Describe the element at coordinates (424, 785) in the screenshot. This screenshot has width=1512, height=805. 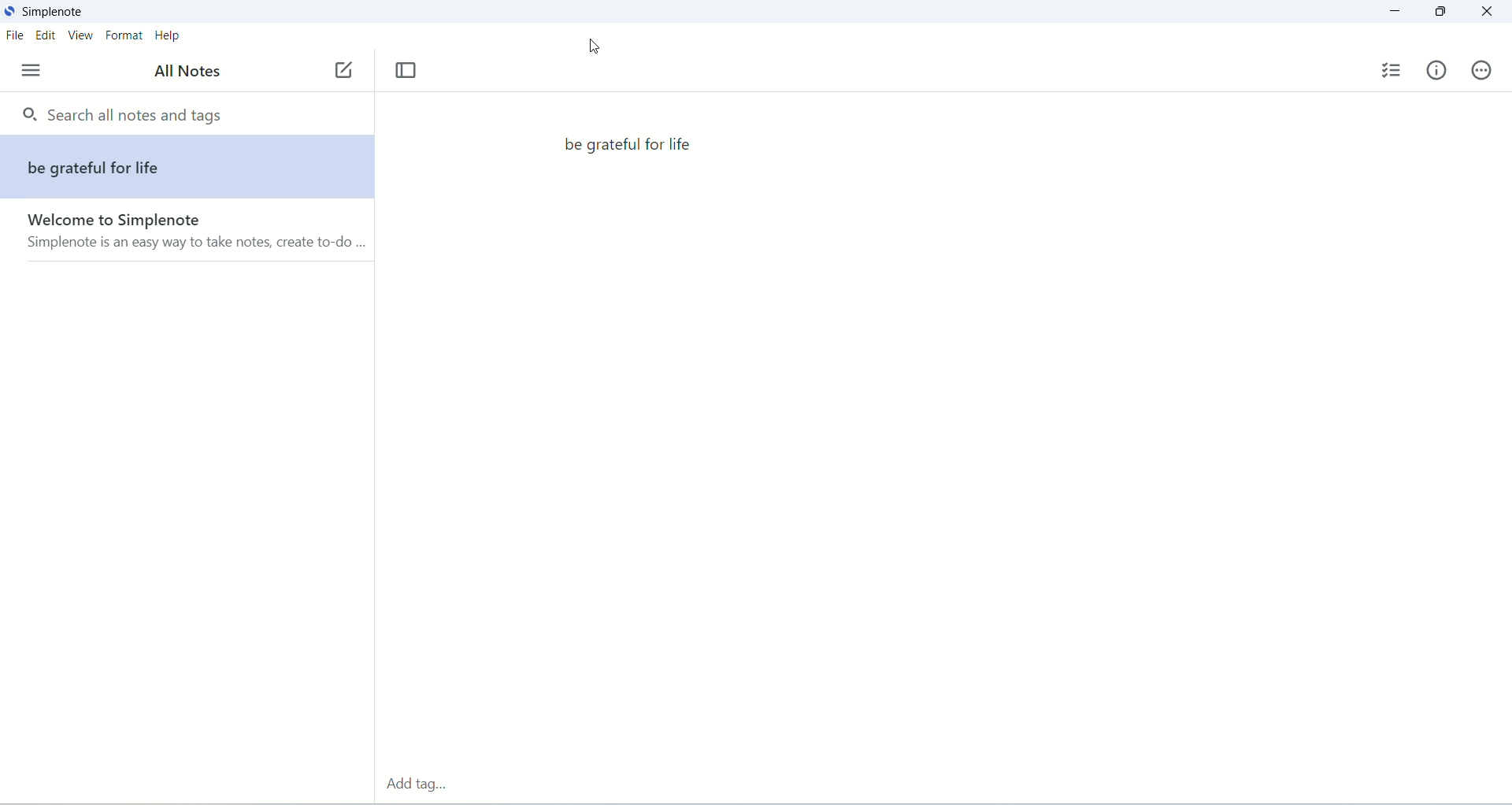
I see `add tag` at that location.